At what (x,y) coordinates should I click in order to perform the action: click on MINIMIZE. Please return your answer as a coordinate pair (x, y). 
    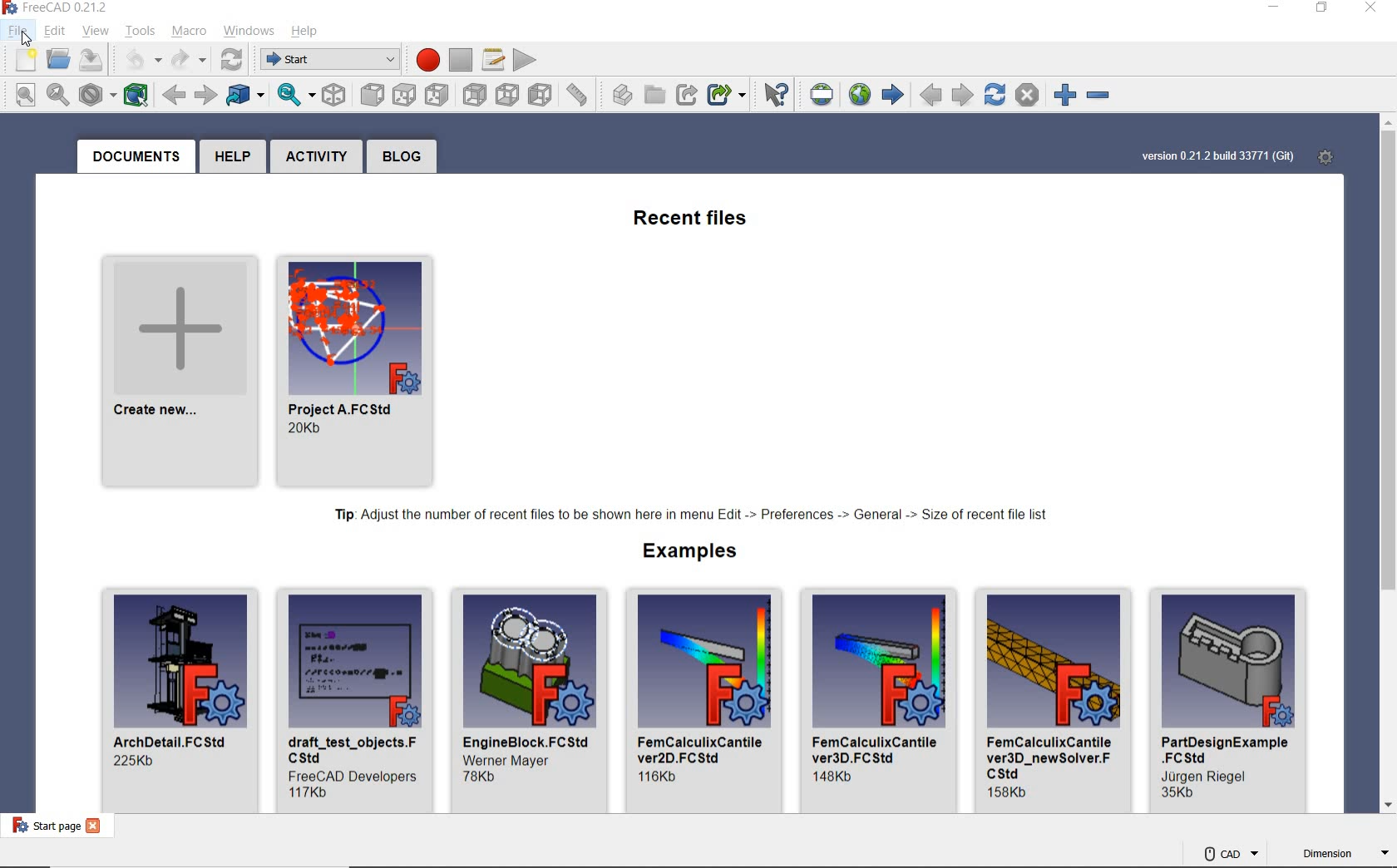
    Looking at the image, I should click on (1276, 9).